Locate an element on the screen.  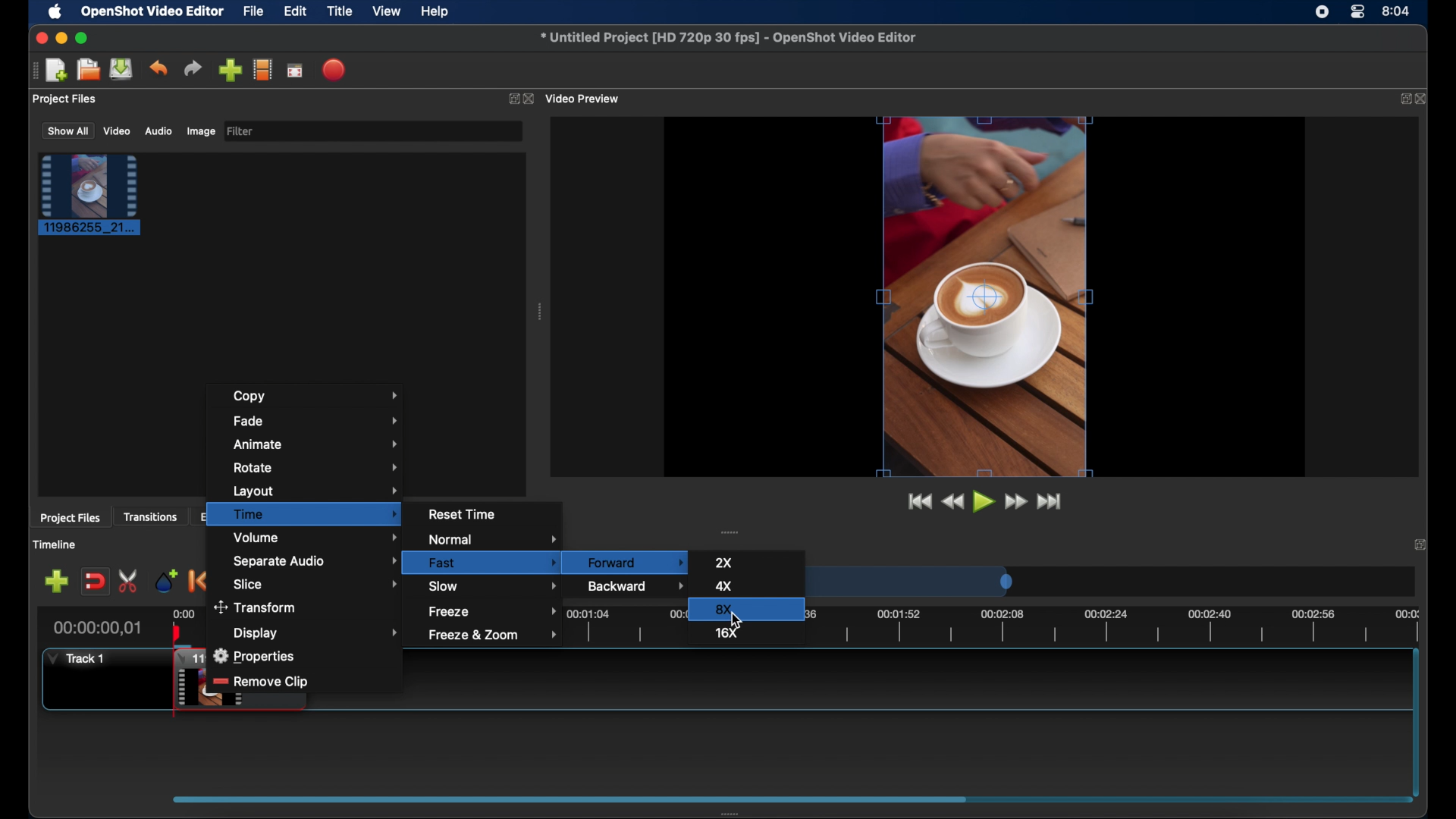
freezemneu is located at coordinates (496, 611).